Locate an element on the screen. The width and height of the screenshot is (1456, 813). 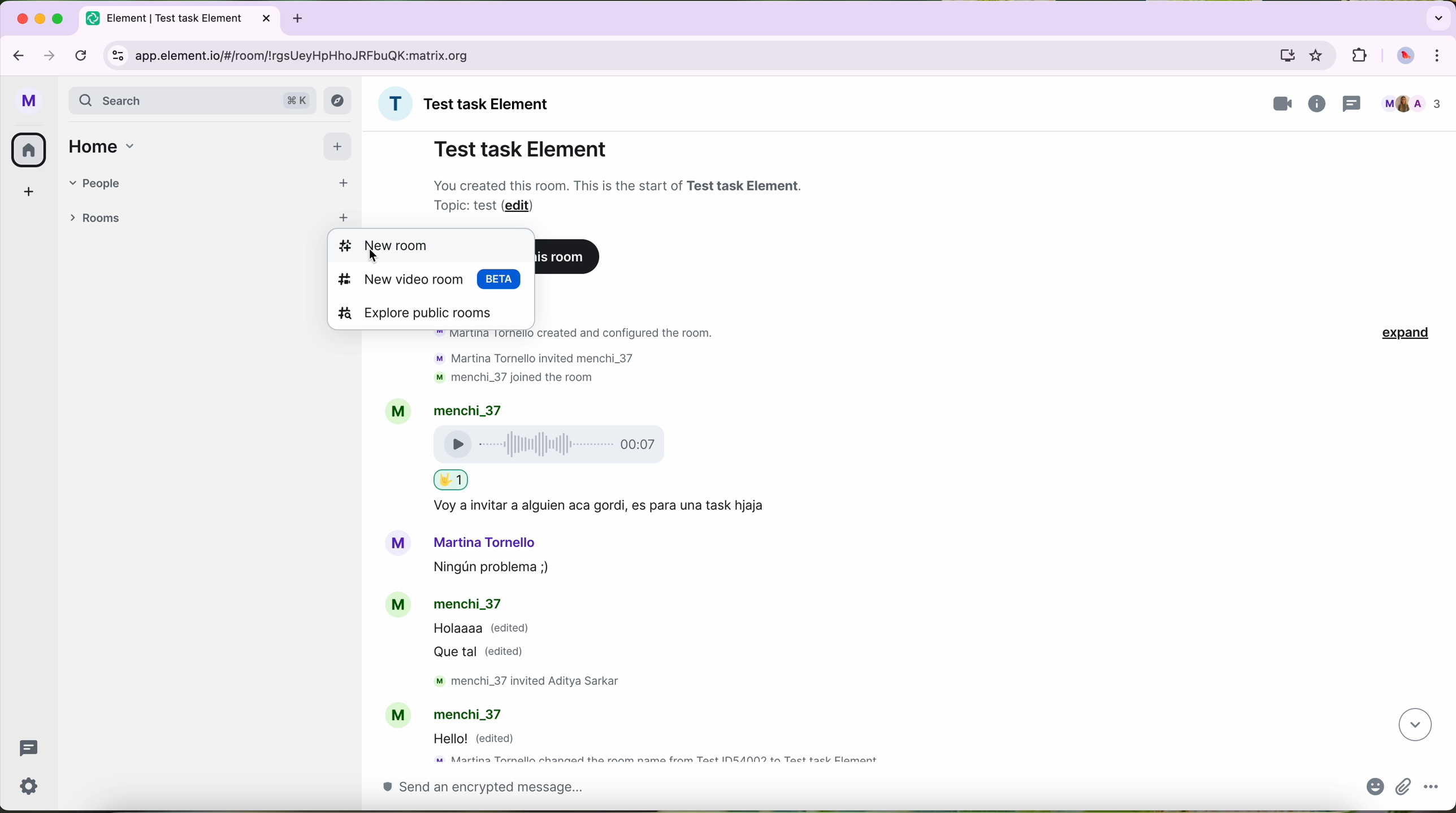
settings is located at coordinates (32, 788).